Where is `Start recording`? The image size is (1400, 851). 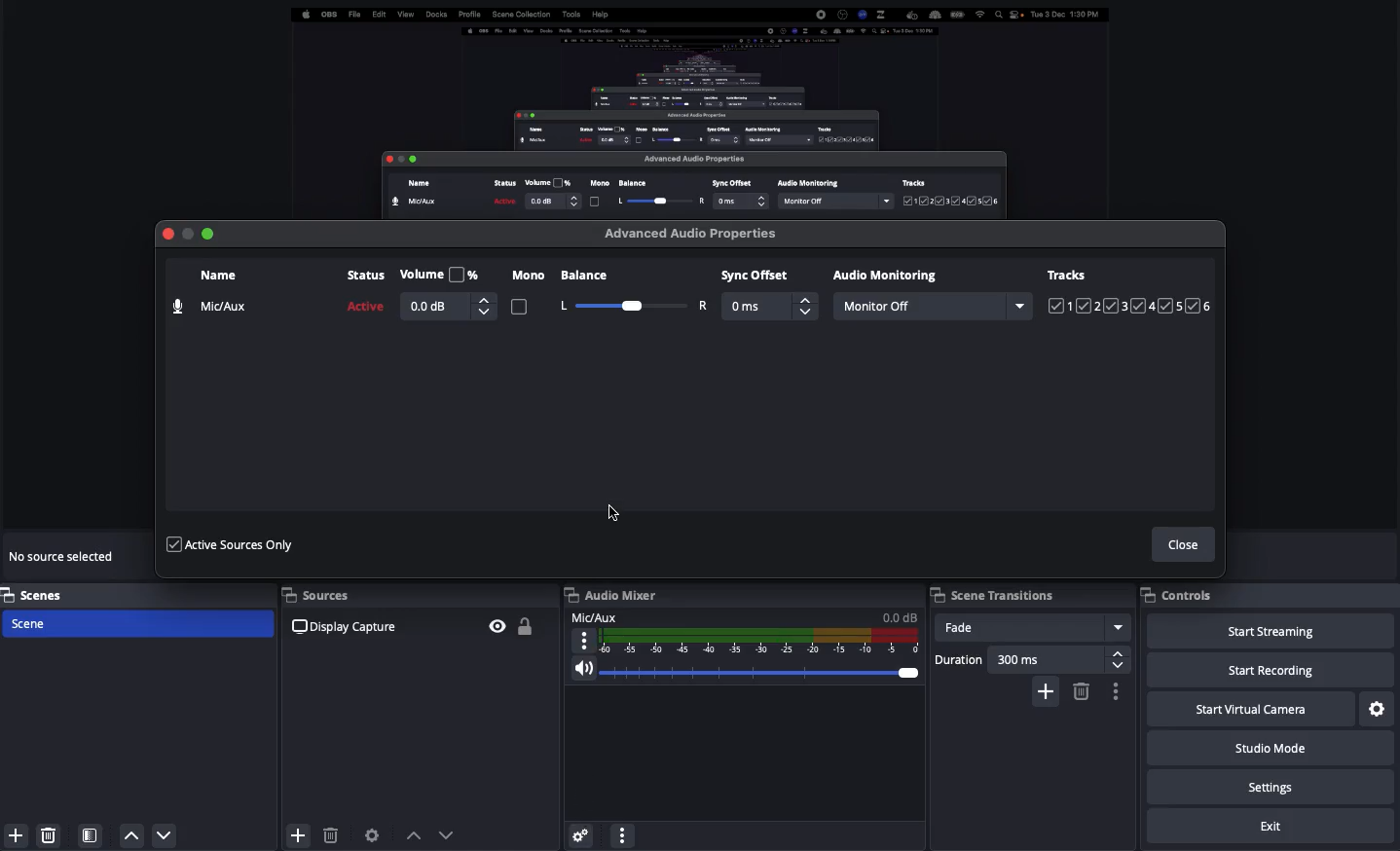
Start recording is located at coordinates (1271, 669).